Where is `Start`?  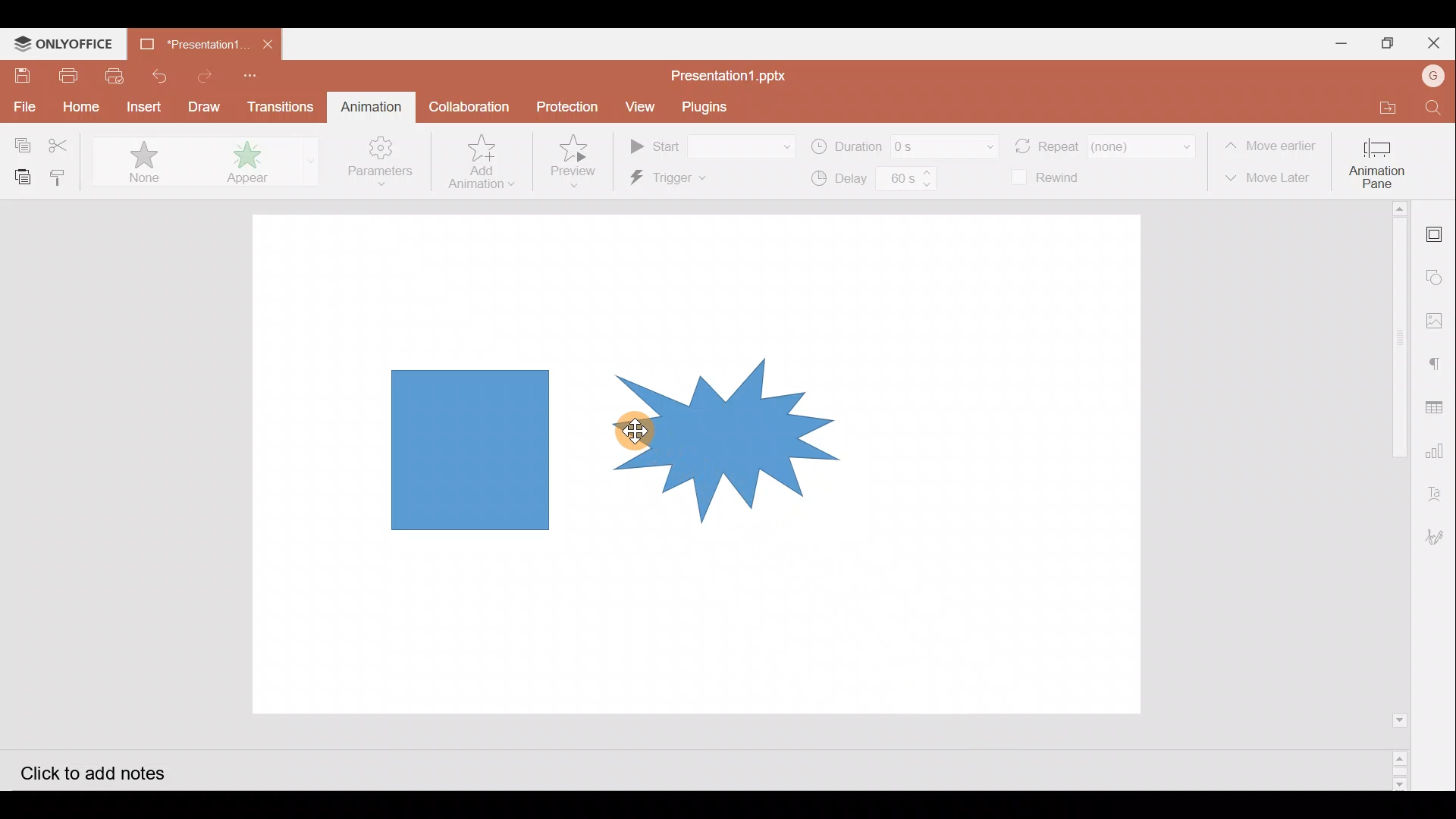 Start is located at coordinates (710, 146).